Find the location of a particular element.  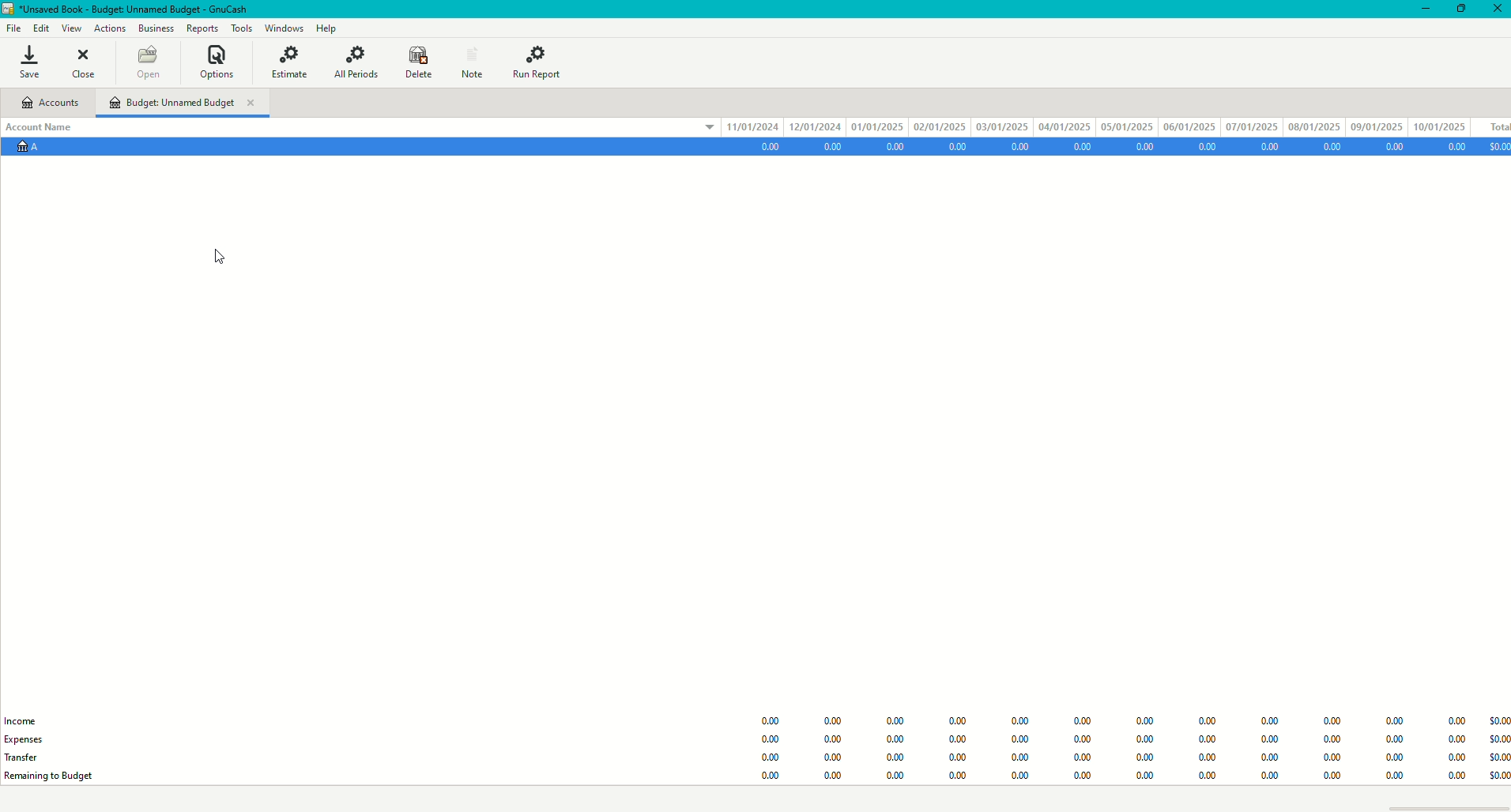

Unnamed Budget is located at coordinates (192, 104).